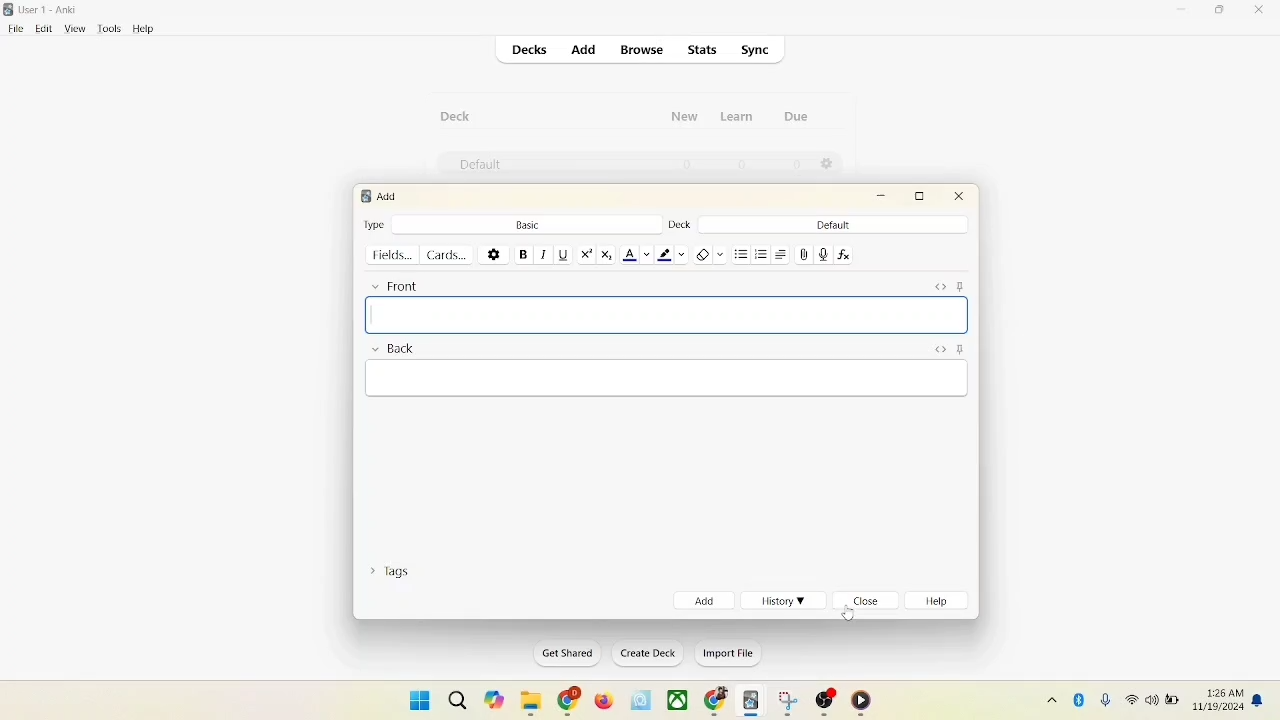  I want to click on , so click(743, 168).